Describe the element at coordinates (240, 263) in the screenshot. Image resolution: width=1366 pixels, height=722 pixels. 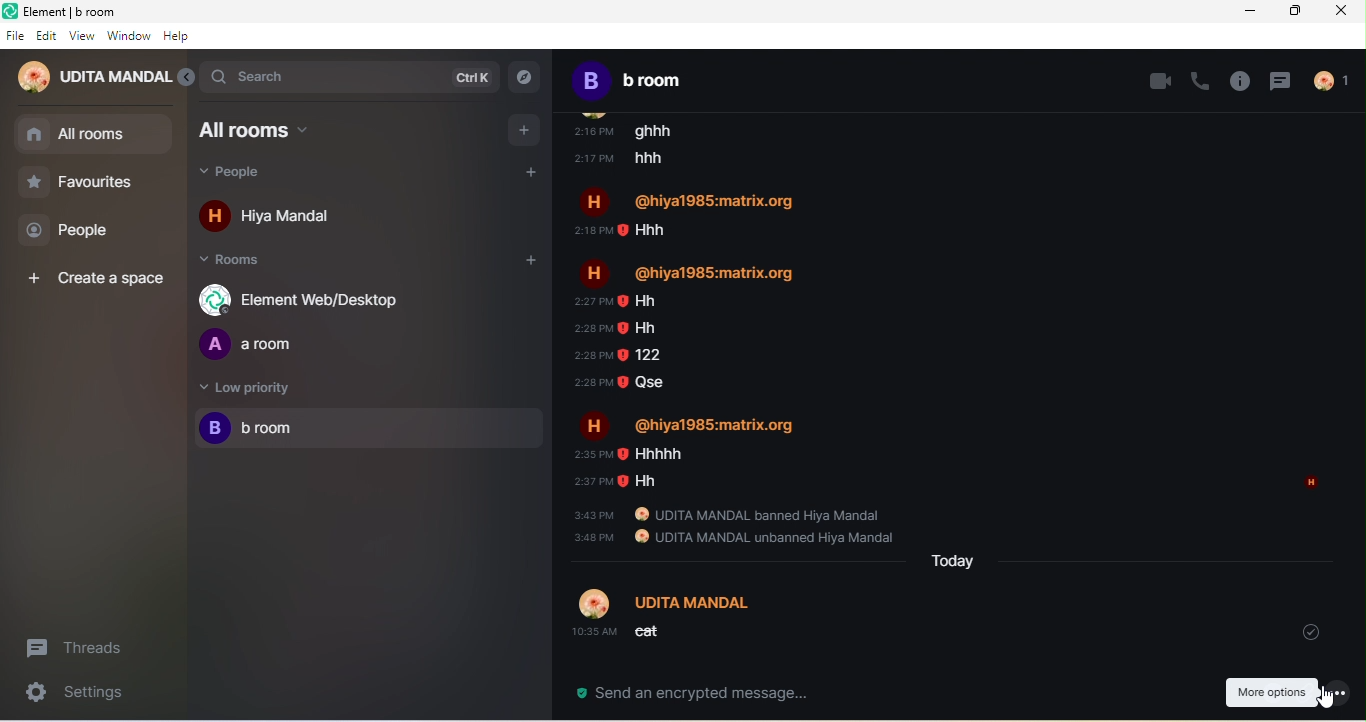
I see `rooms` at that location.